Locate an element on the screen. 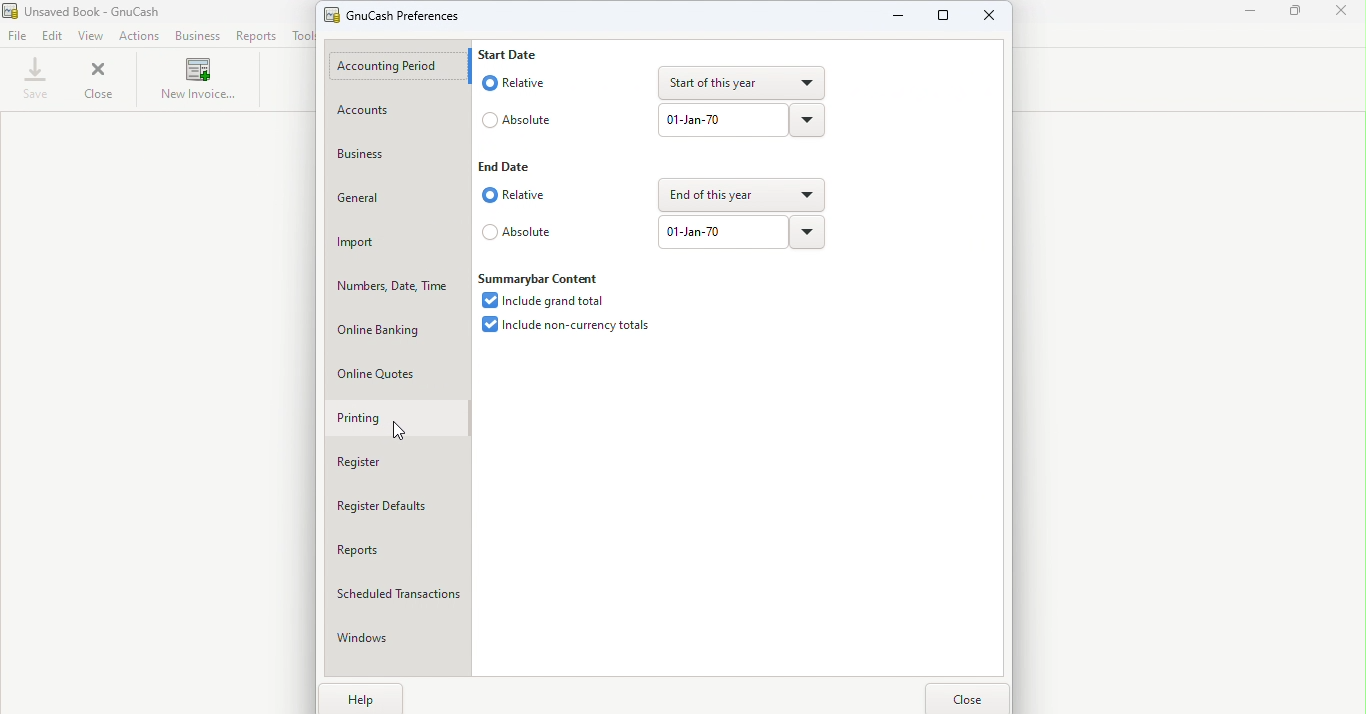 This screenshot has width=1366, height=714. Save is located at coordinates (36, 79).